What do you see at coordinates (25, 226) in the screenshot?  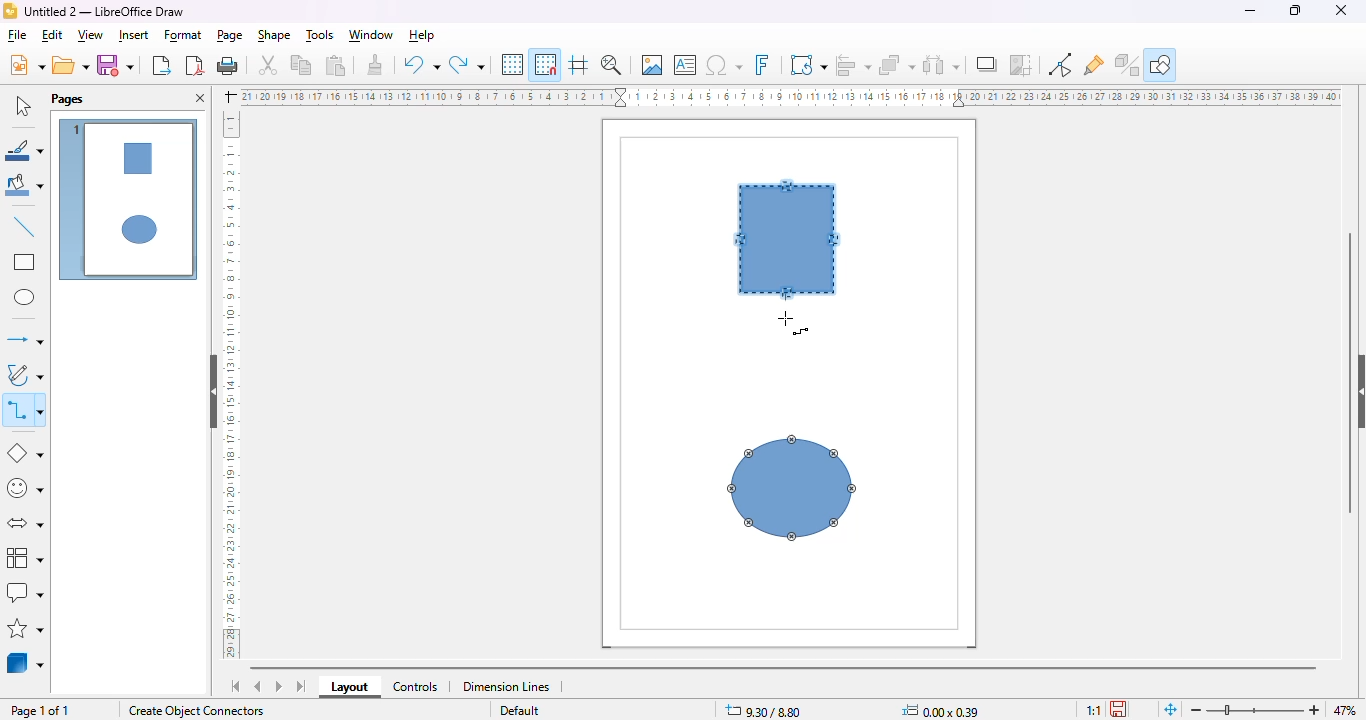 I see `insert line` at bounding box center [25, 226].